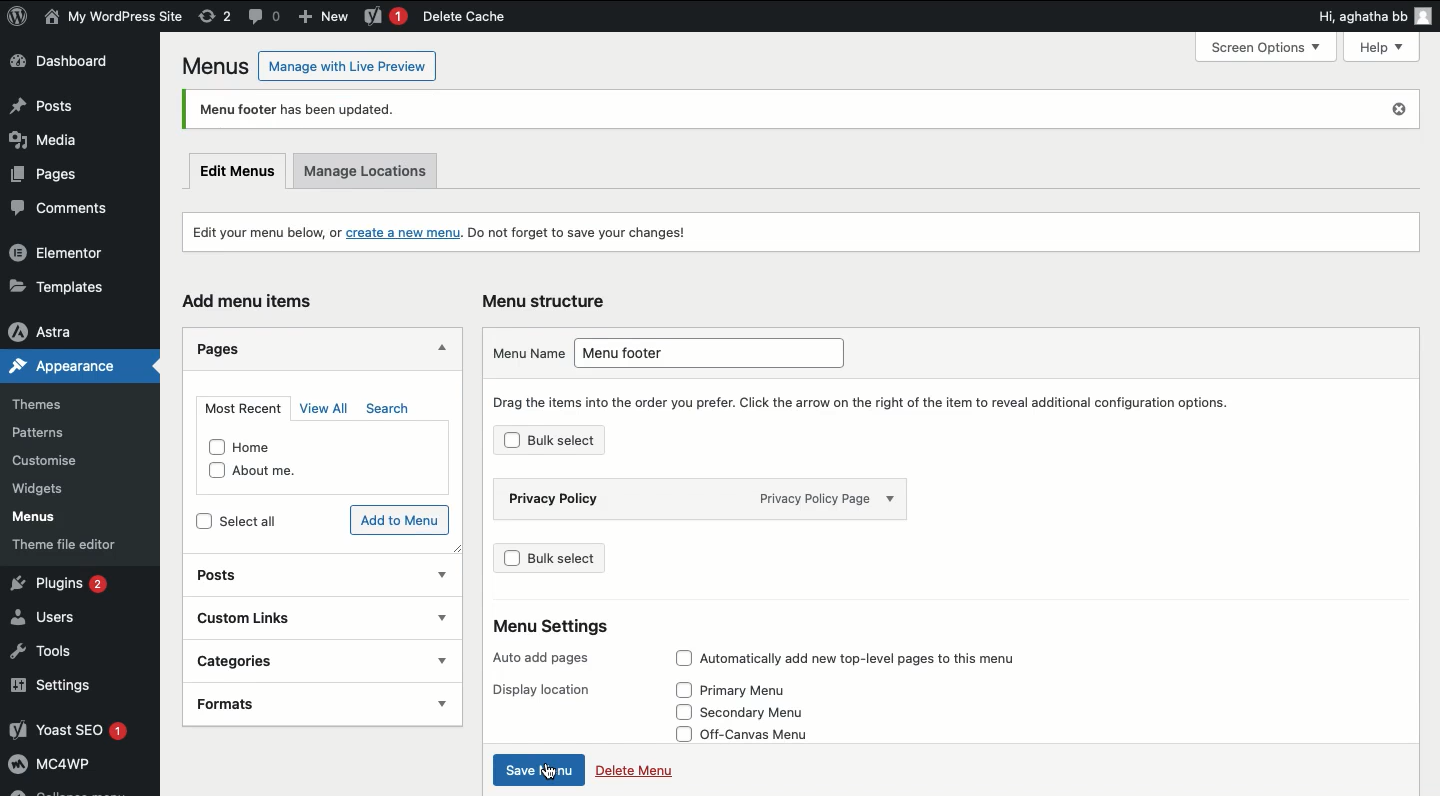 Image resolution: width=1440 pixels, height=796 pixels. I want to click on Select all, so click(271, 525).